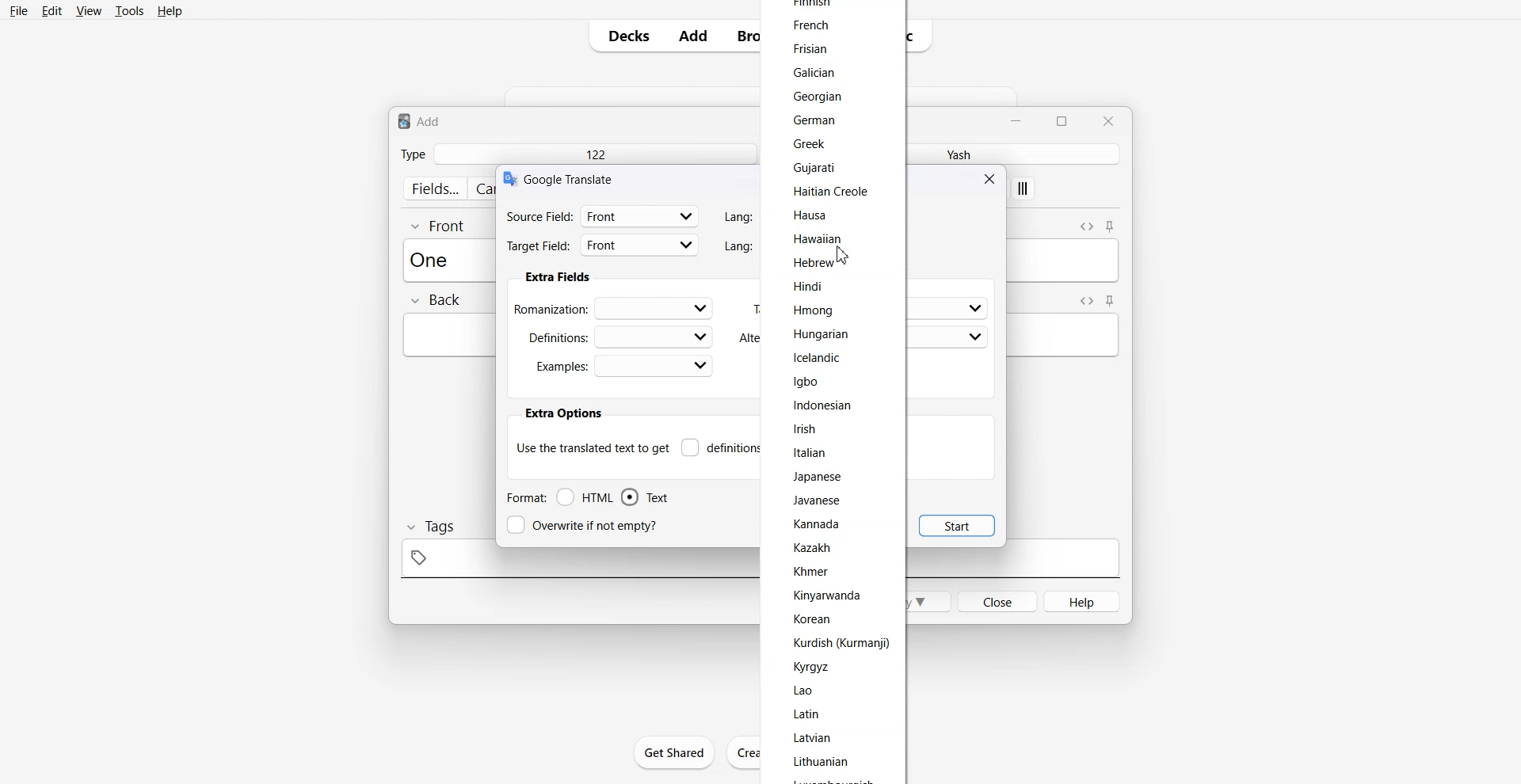 The height and width of the screenshot is (784, 1521). Describe the element at coordinates (974, 309) in the screenshot. I see `dropdown` at that location.